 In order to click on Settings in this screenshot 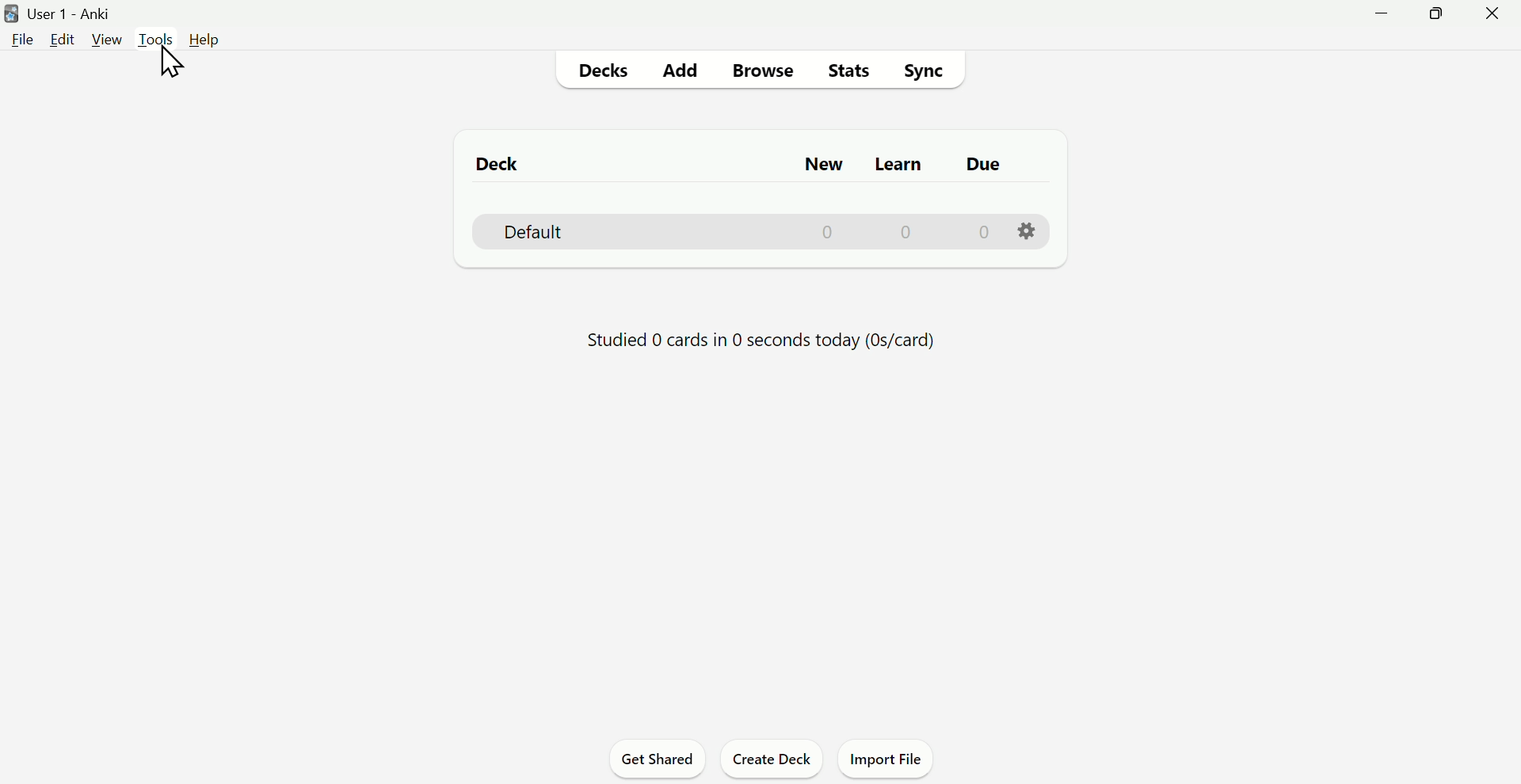, I will do `click(1027, 232)`.